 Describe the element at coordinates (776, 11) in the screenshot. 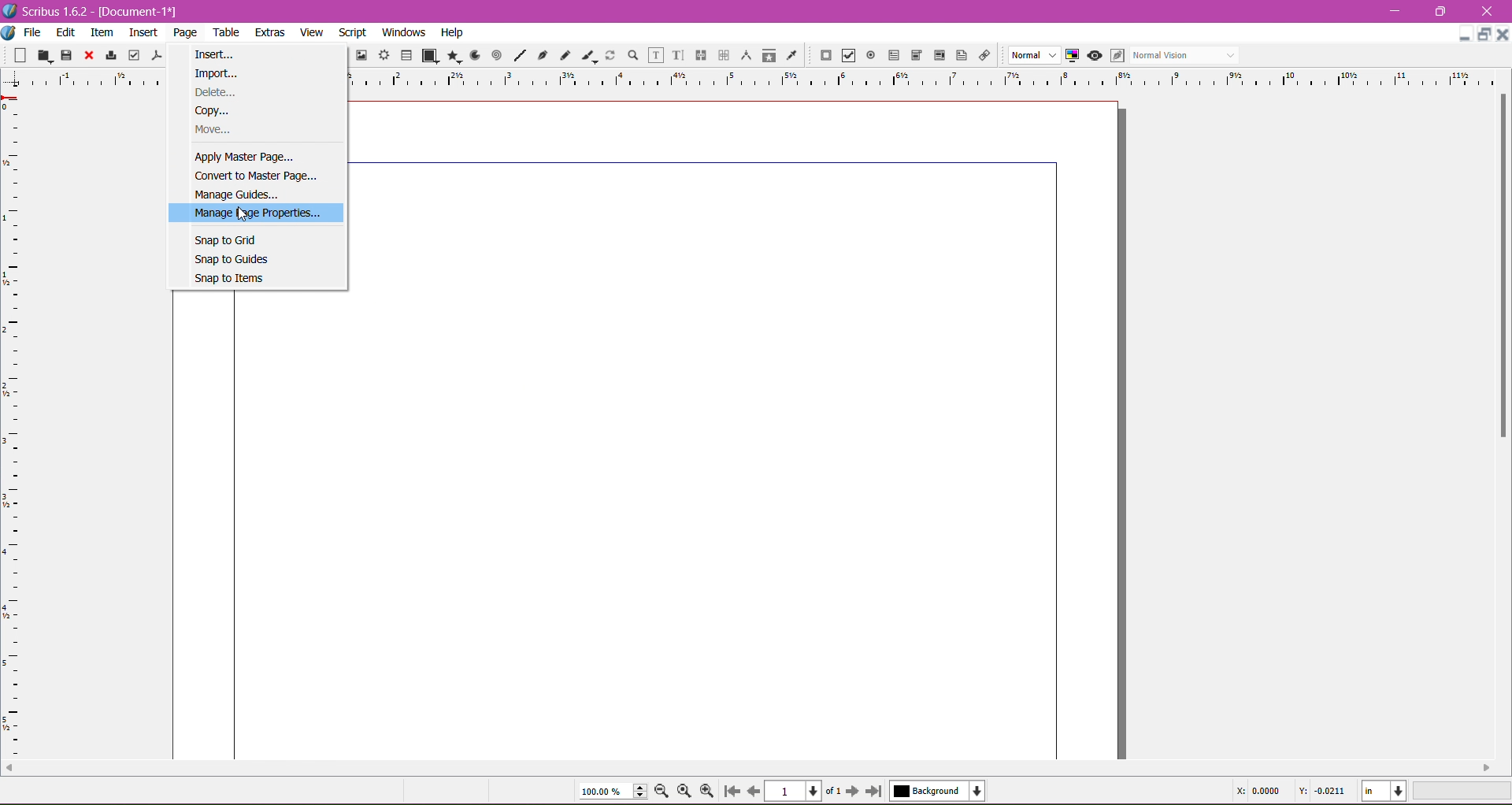

I see `Title Bar color change on click` at that location.